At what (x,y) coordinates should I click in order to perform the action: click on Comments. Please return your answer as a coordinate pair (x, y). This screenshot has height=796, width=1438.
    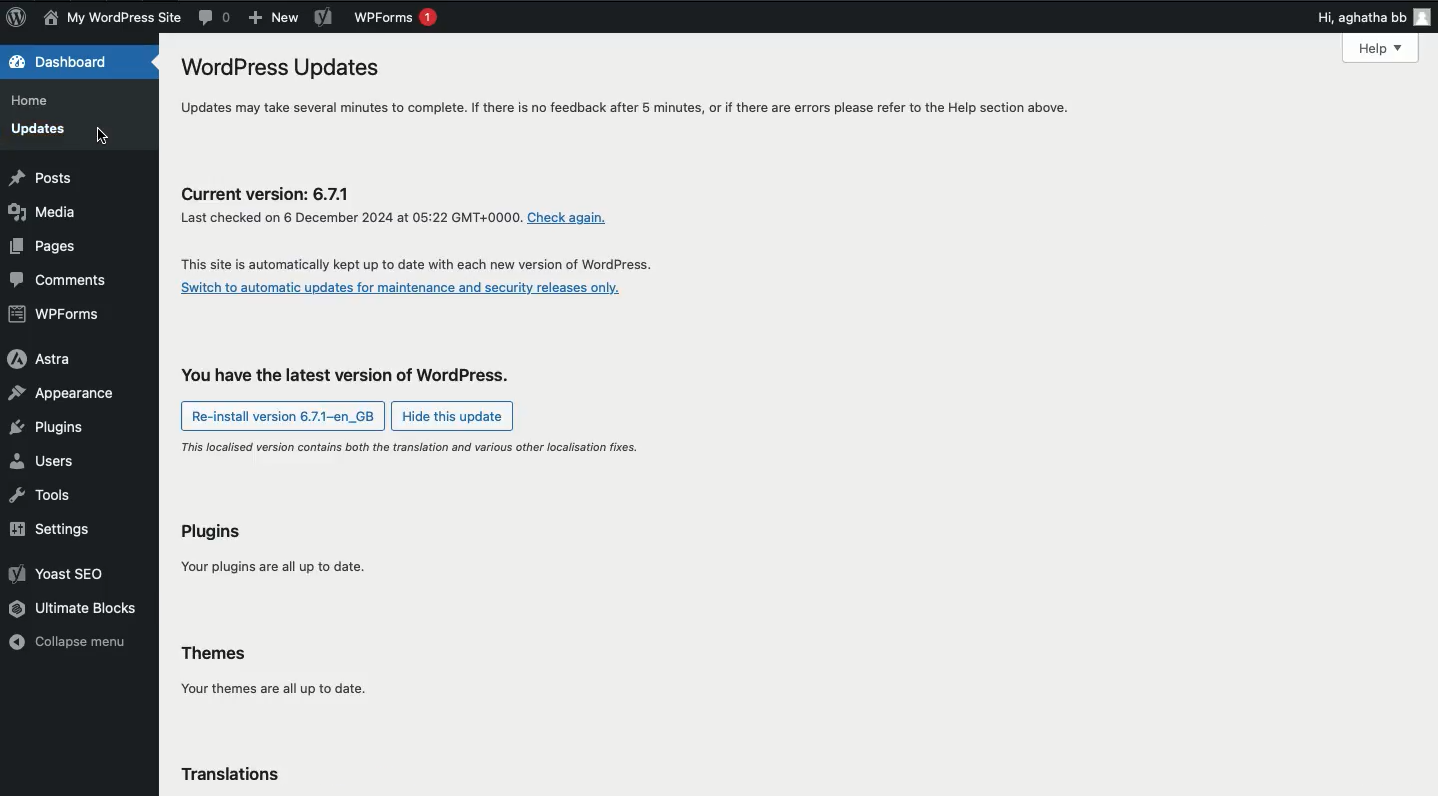
    Looking at the image, I should click on (59, 282).